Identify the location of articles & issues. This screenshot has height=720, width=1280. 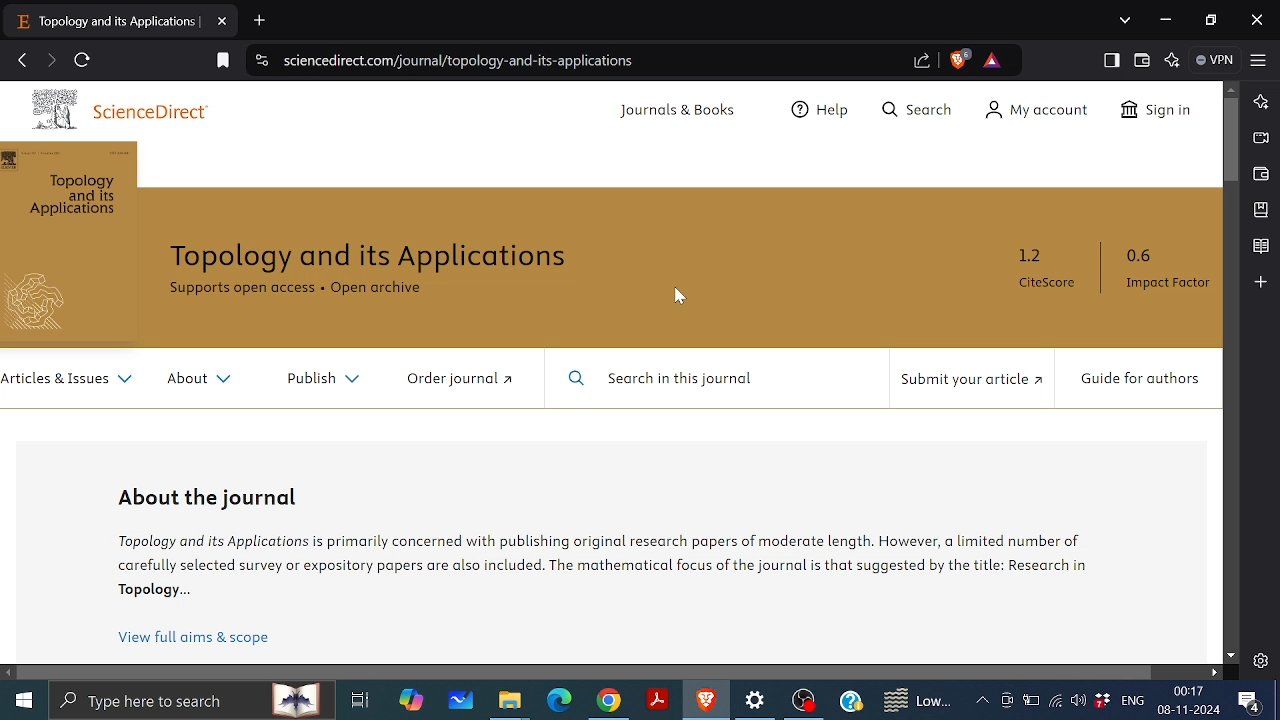
(69, 383).